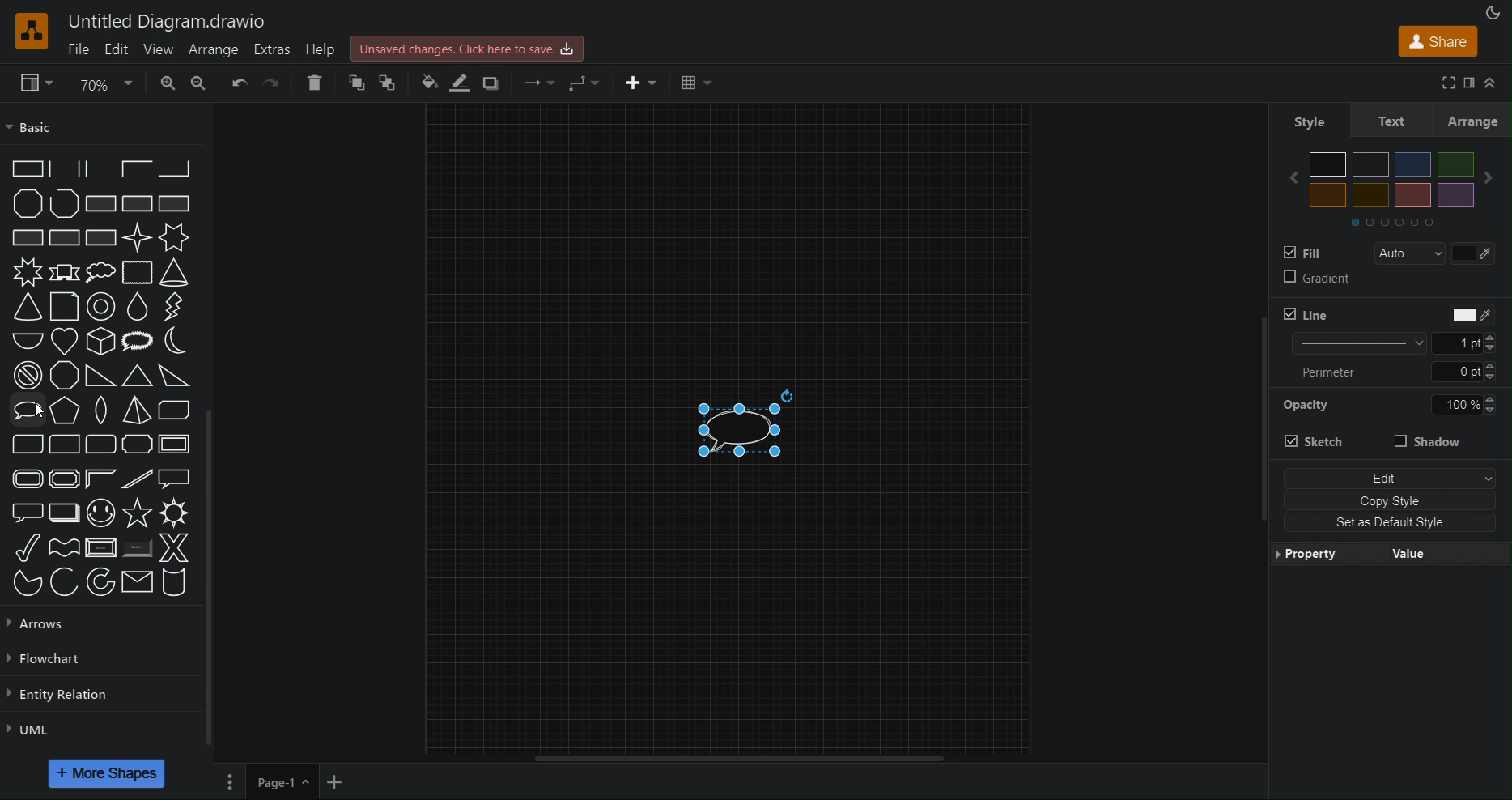  What do you see at coordinates (1448, 83) in the screenshot?
I see `Full Screen` at bounding box center [1448, 83].